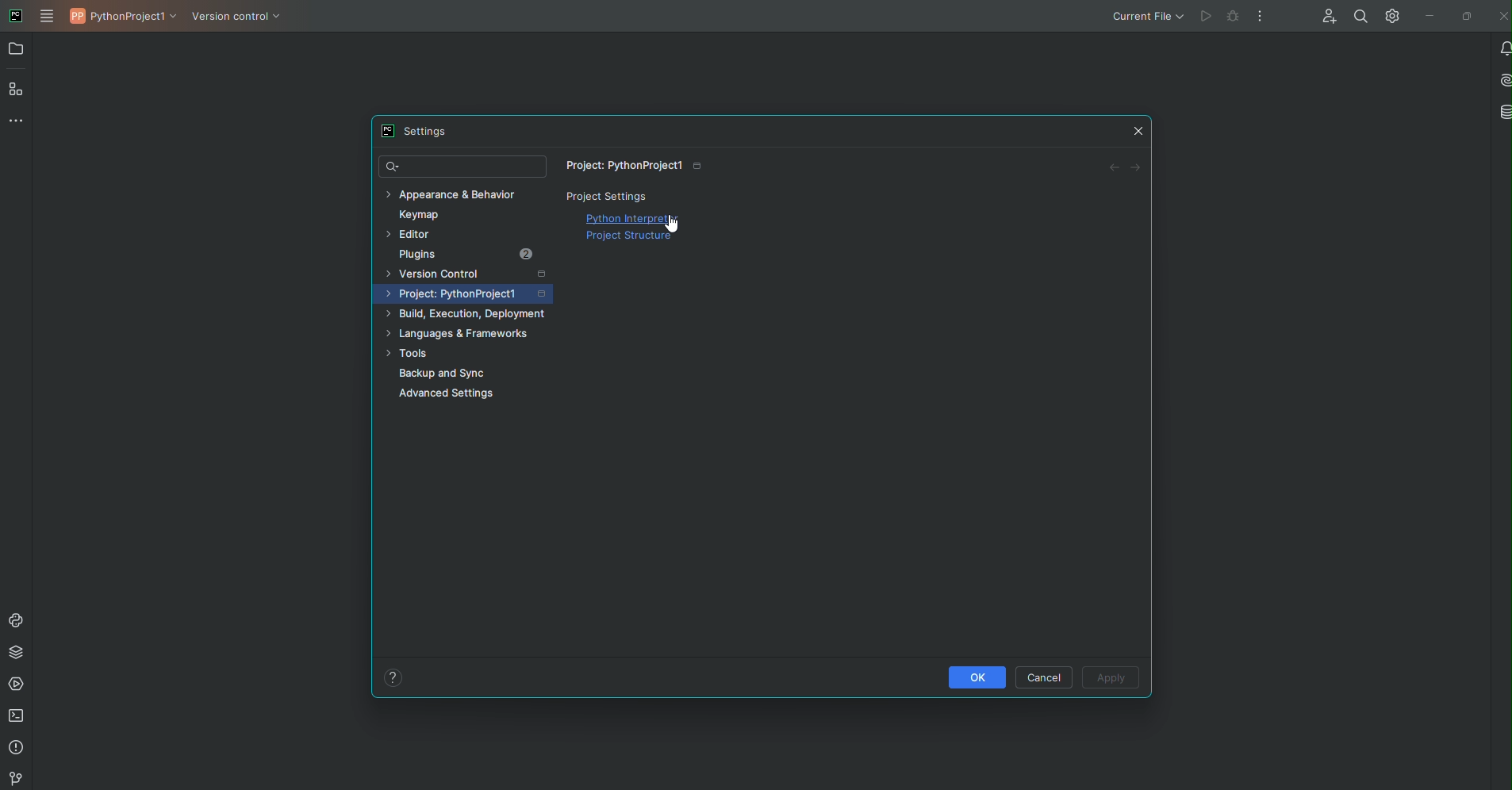 The width and height of the screenshot is (1512, 790). Describe the element at coordinates (1502, 48) in the screenshot. I see `Notifications` at that location.